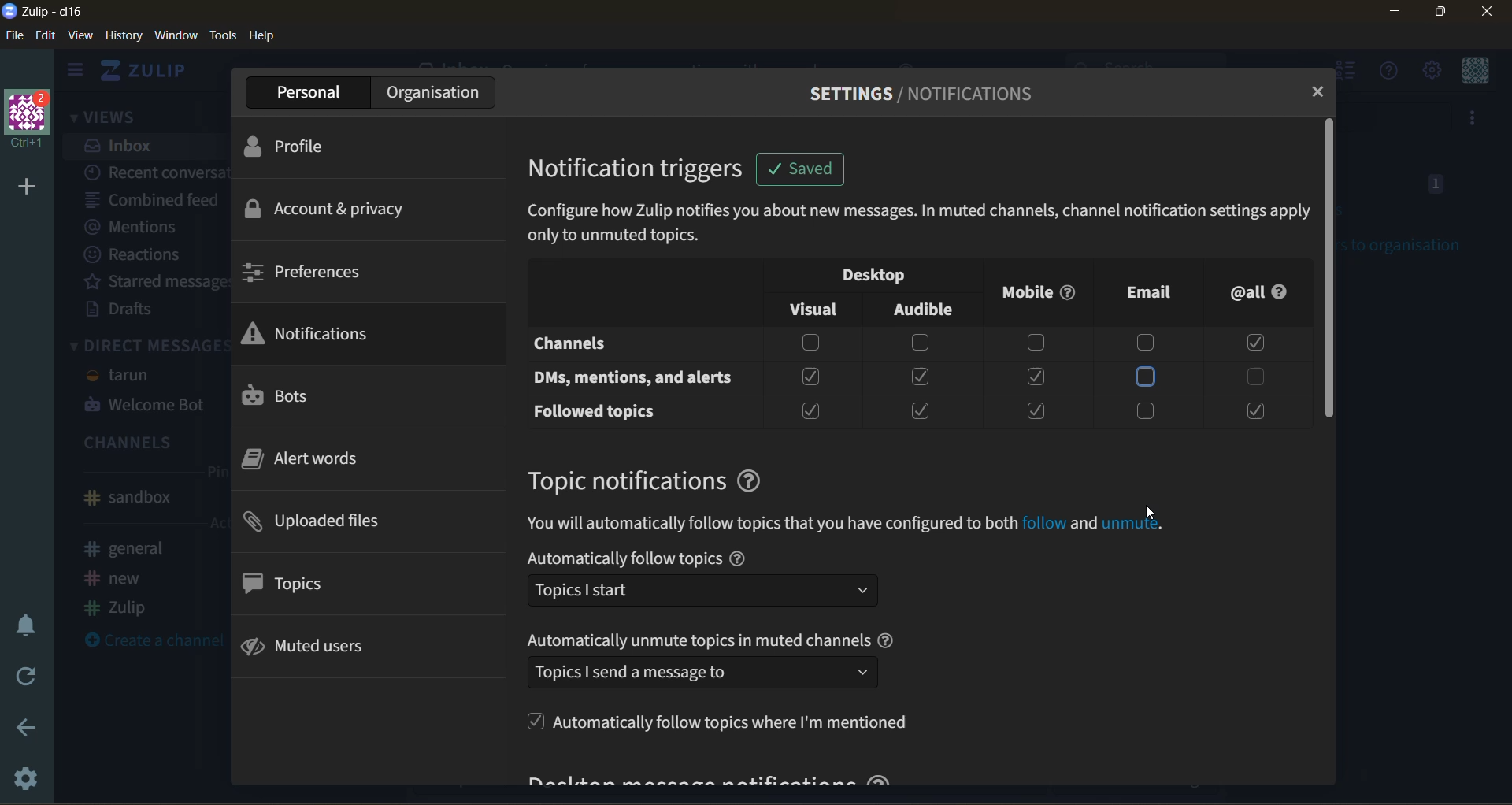 Image resolution: width=1512 pixels, height=805 pixels. I want to click on personal menu, so click(1478, 72).